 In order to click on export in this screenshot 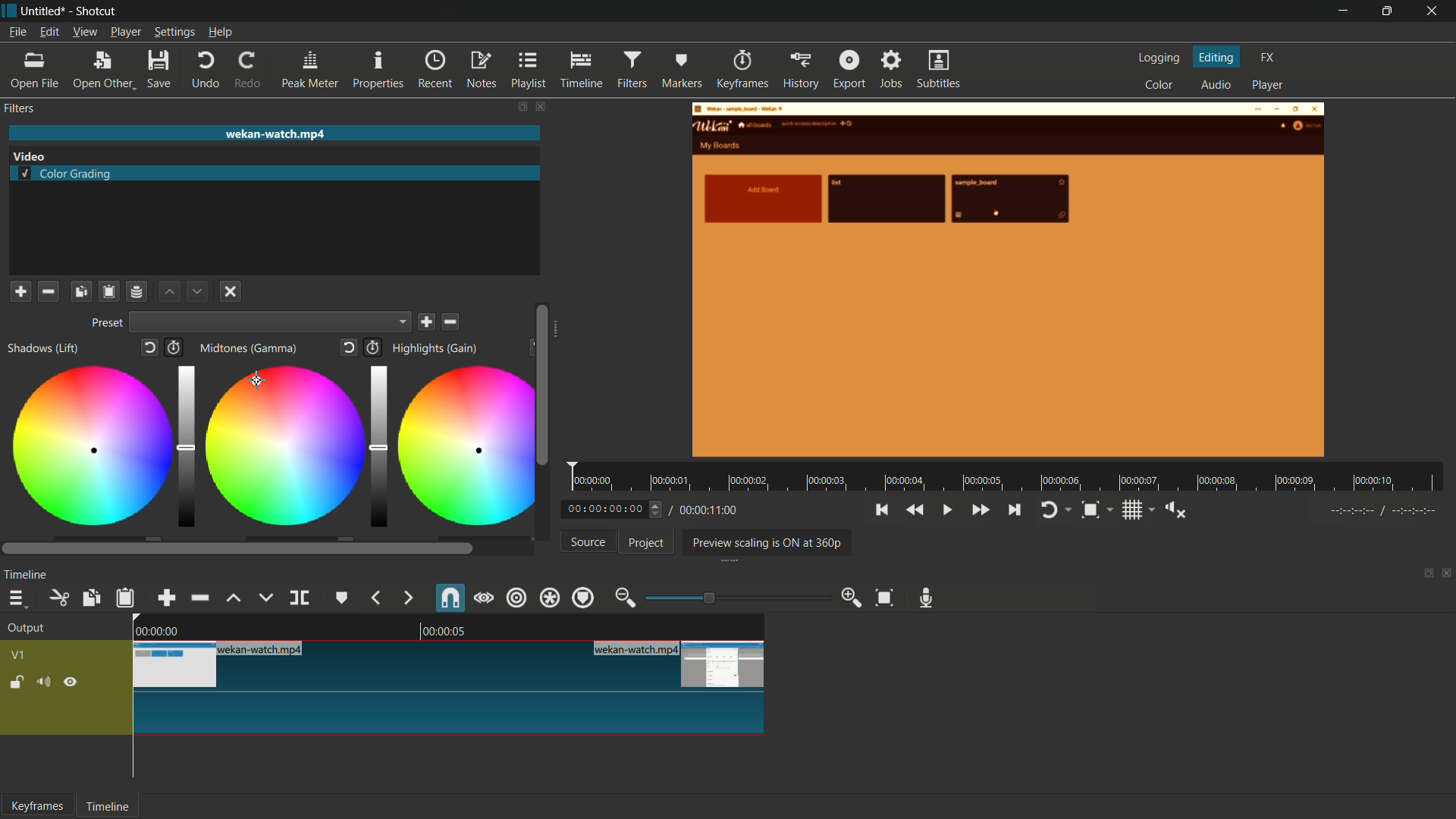, I will do `click(850, 71)`.